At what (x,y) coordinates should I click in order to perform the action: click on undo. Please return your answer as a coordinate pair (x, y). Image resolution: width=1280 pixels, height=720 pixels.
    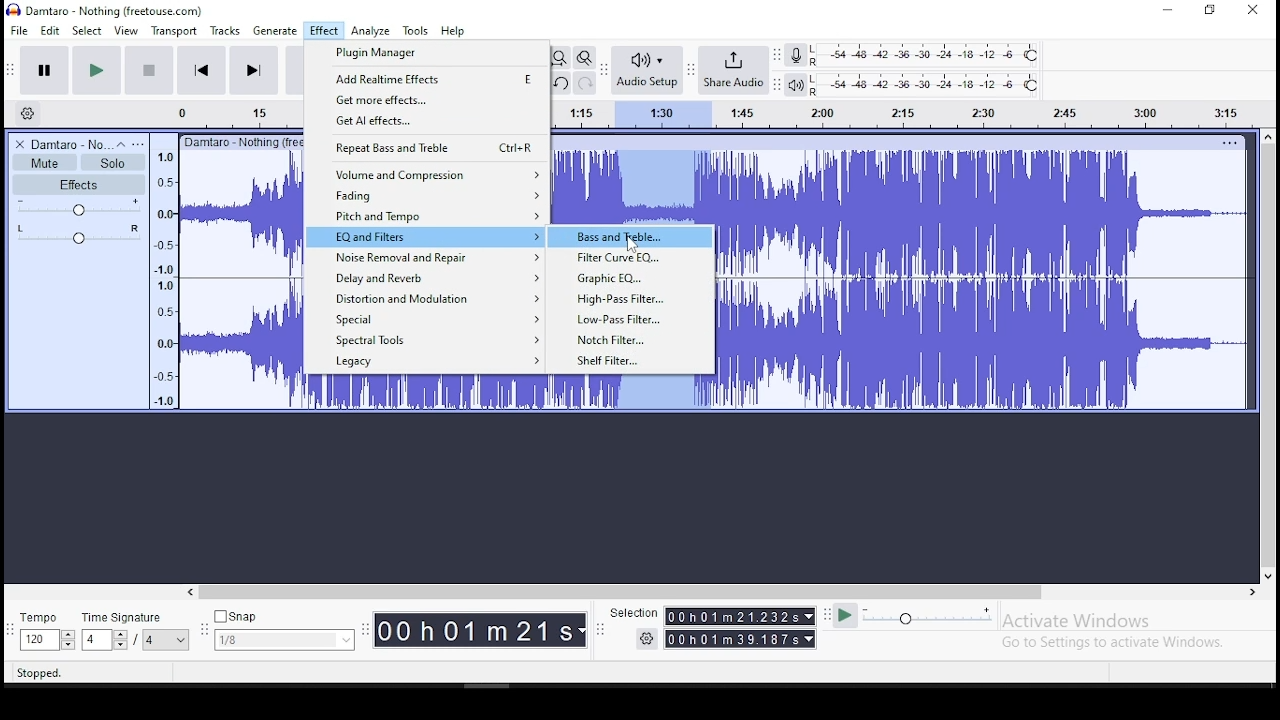
    Looking at the image, I should click on (559, 83).